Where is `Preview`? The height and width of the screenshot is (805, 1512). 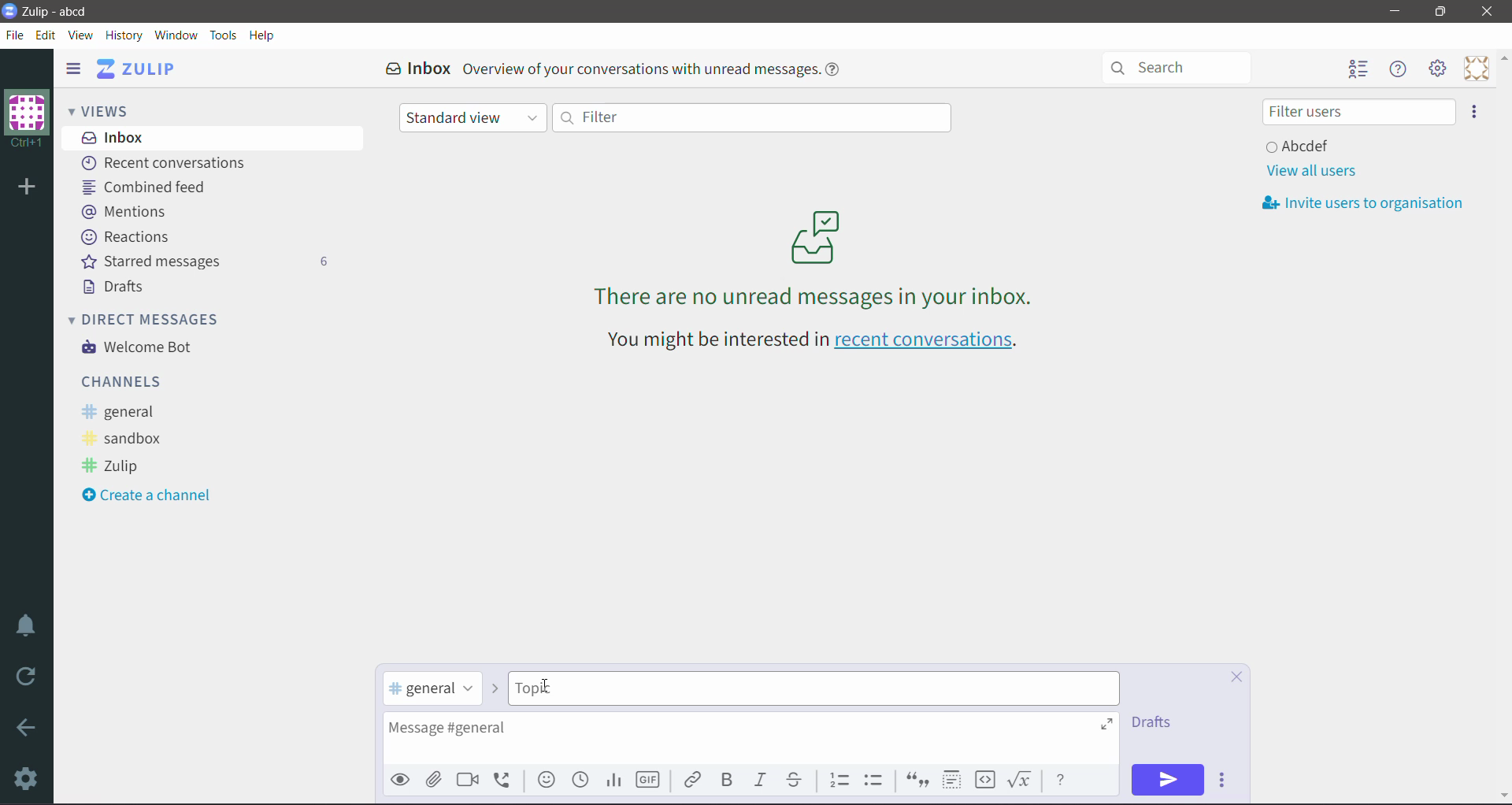 Preview is located at coordinates (401, 779).